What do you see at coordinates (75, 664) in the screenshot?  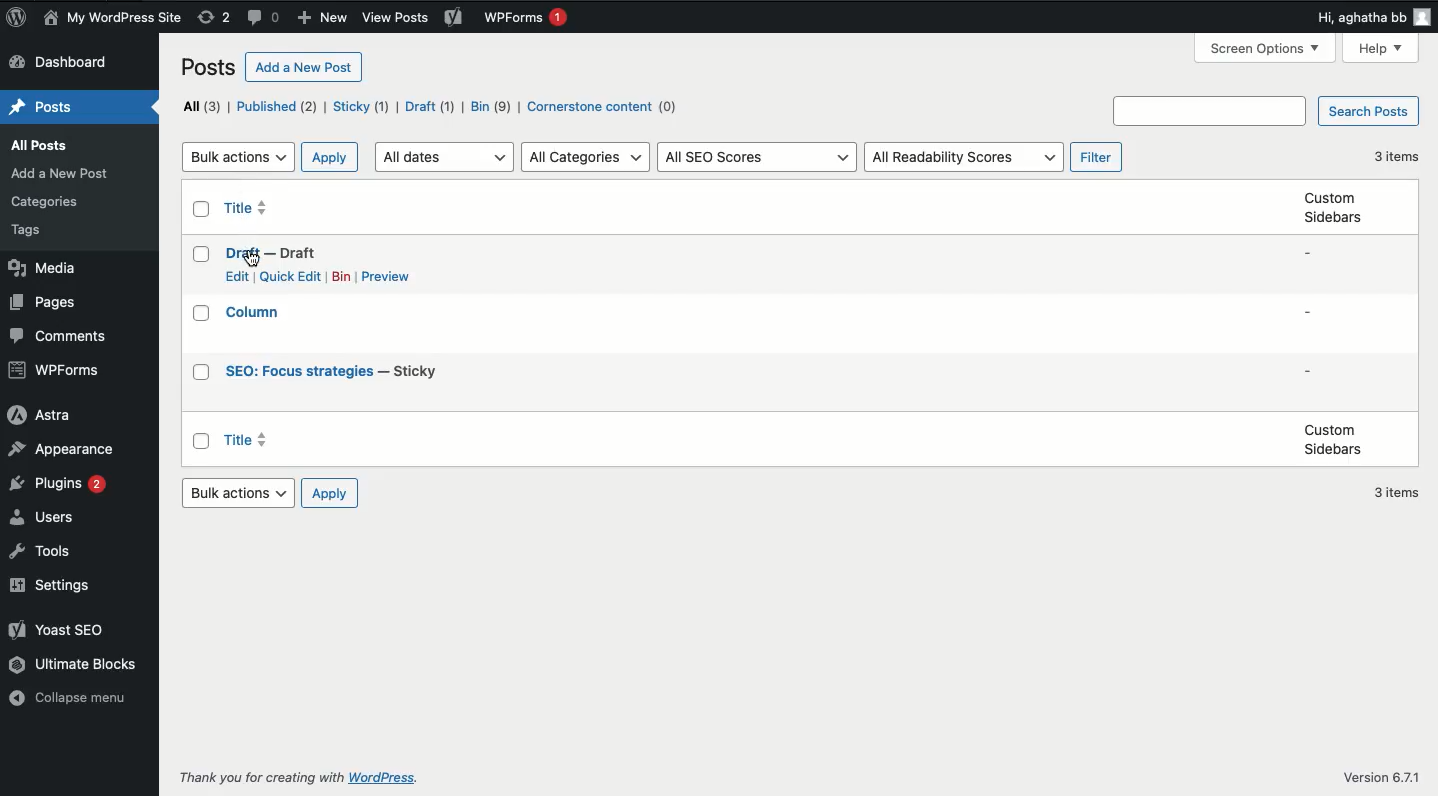 I see `Ultimate blocks` at bounding box center [75, 664].